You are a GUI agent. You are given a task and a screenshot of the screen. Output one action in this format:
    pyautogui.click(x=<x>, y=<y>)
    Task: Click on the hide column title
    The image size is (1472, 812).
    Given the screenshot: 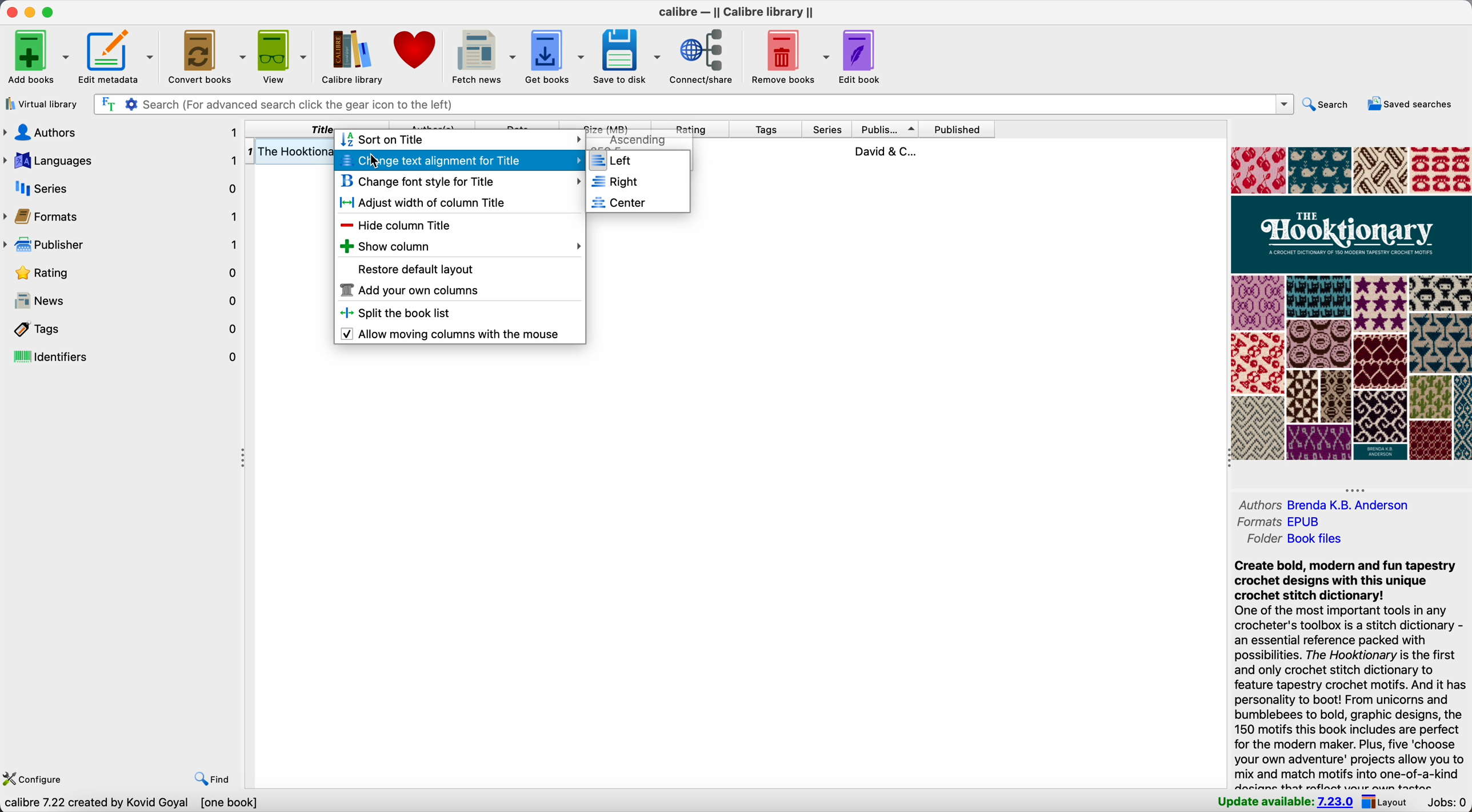 What is the action you would take?
    pyautogui.click(x=401, y=226)
    